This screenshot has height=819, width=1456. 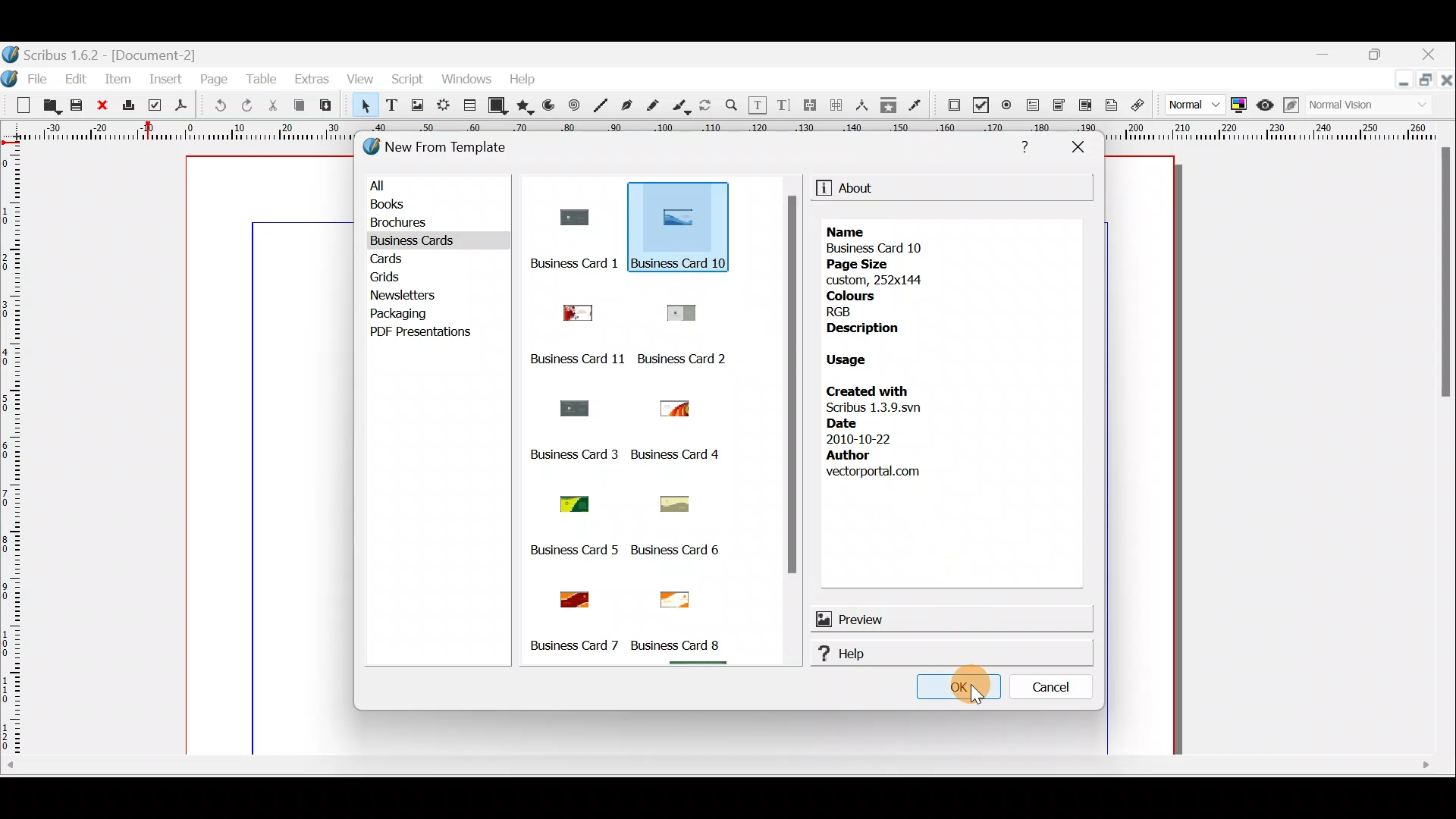 I want to click on Select item, so click(x=366, y=108).